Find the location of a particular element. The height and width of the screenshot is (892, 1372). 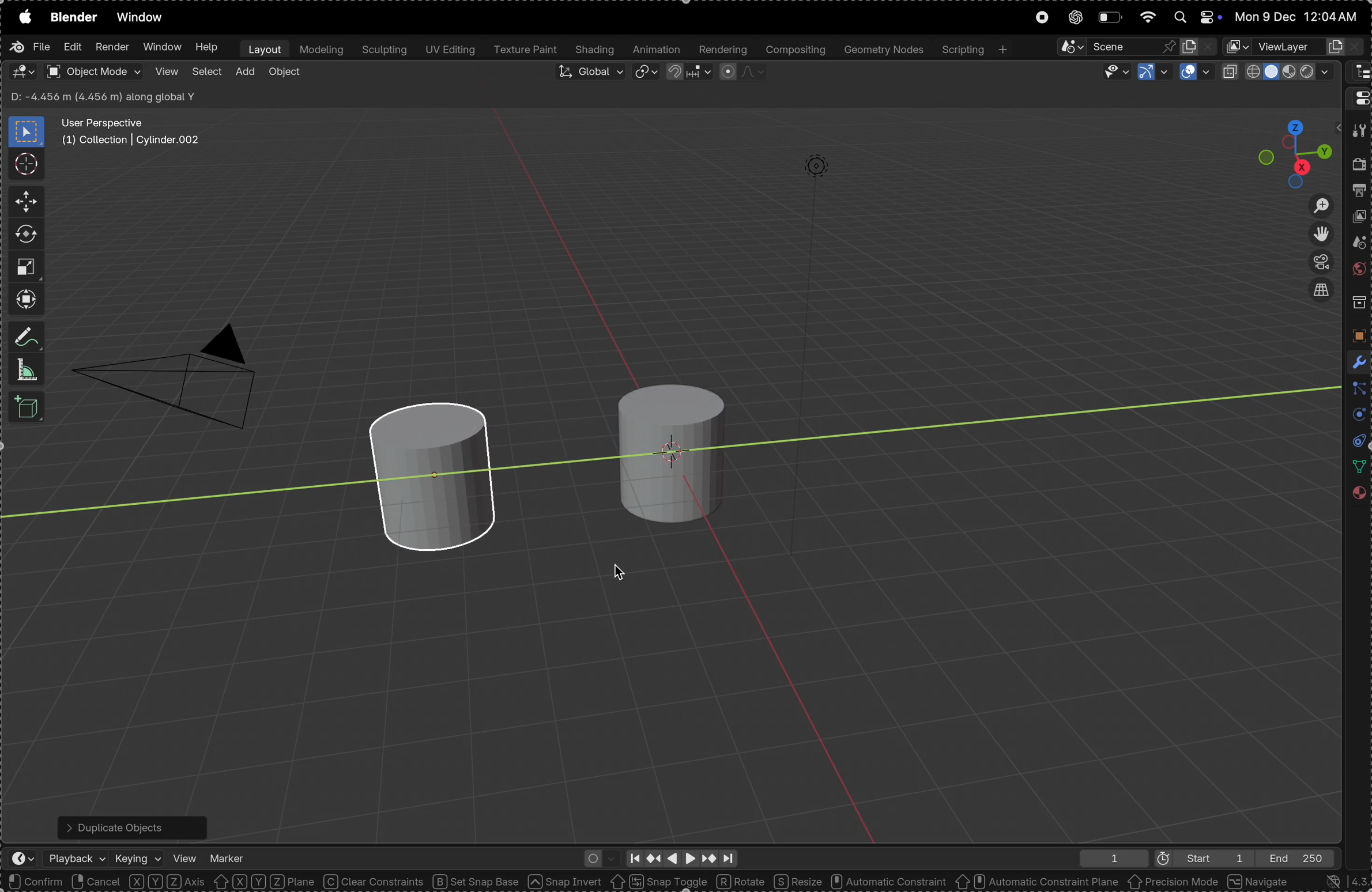

toggle view point is located at coordinates (1318, 235).